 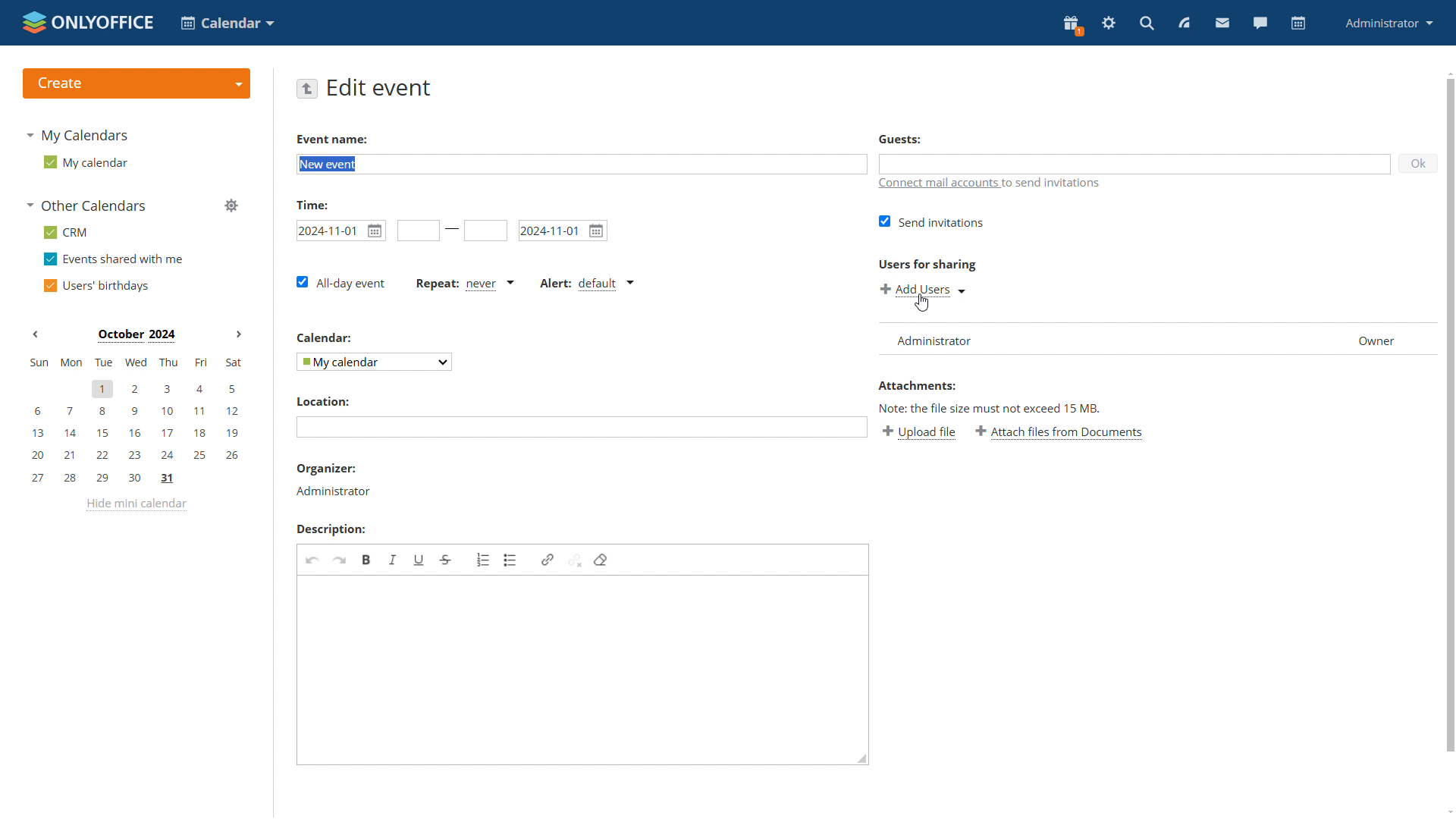 What do you see at coordinates (1221, 23) in the screenshot?
I see `mail` at bounding box center [1221, 23].